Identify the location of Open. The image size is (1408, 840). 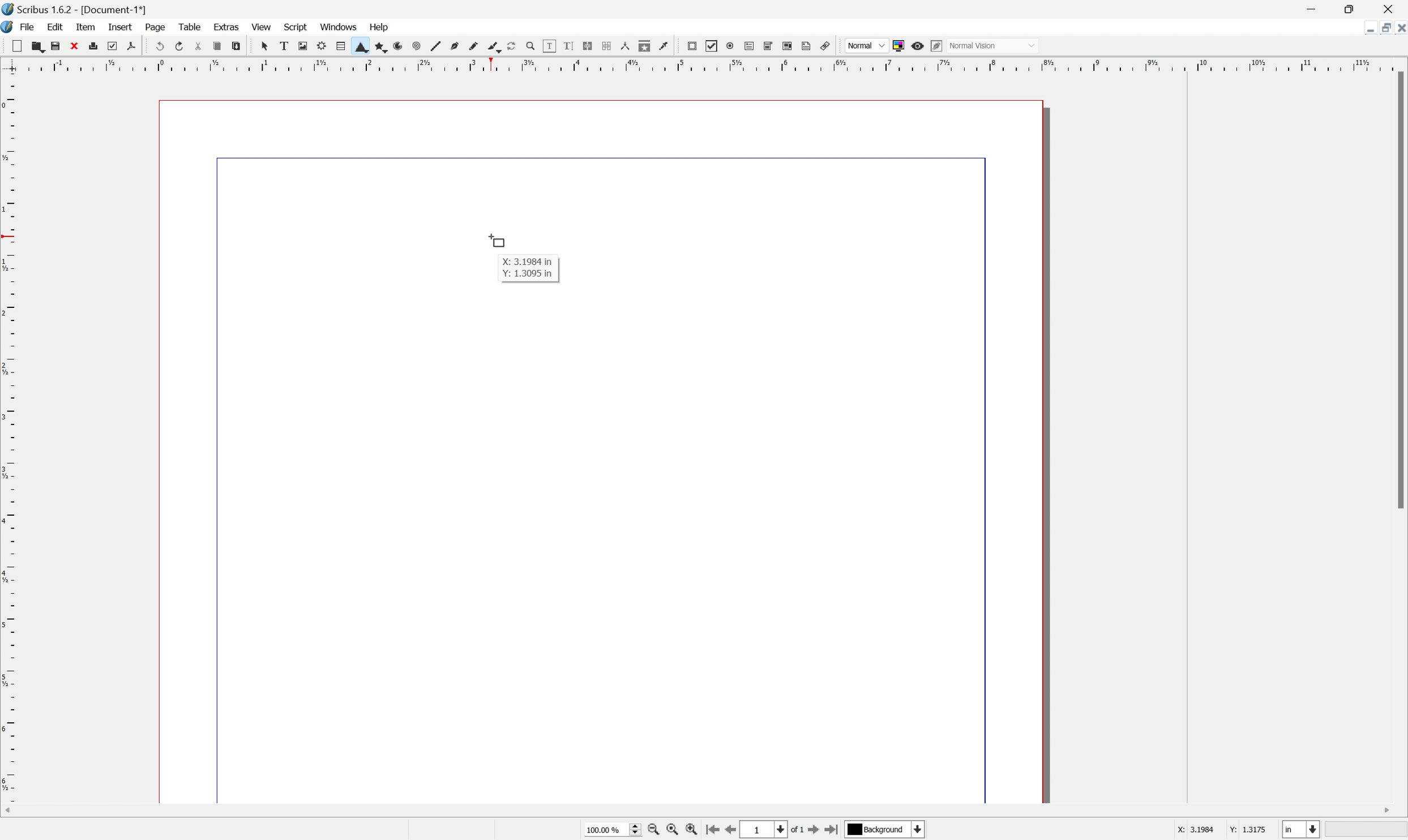
(35, 45).